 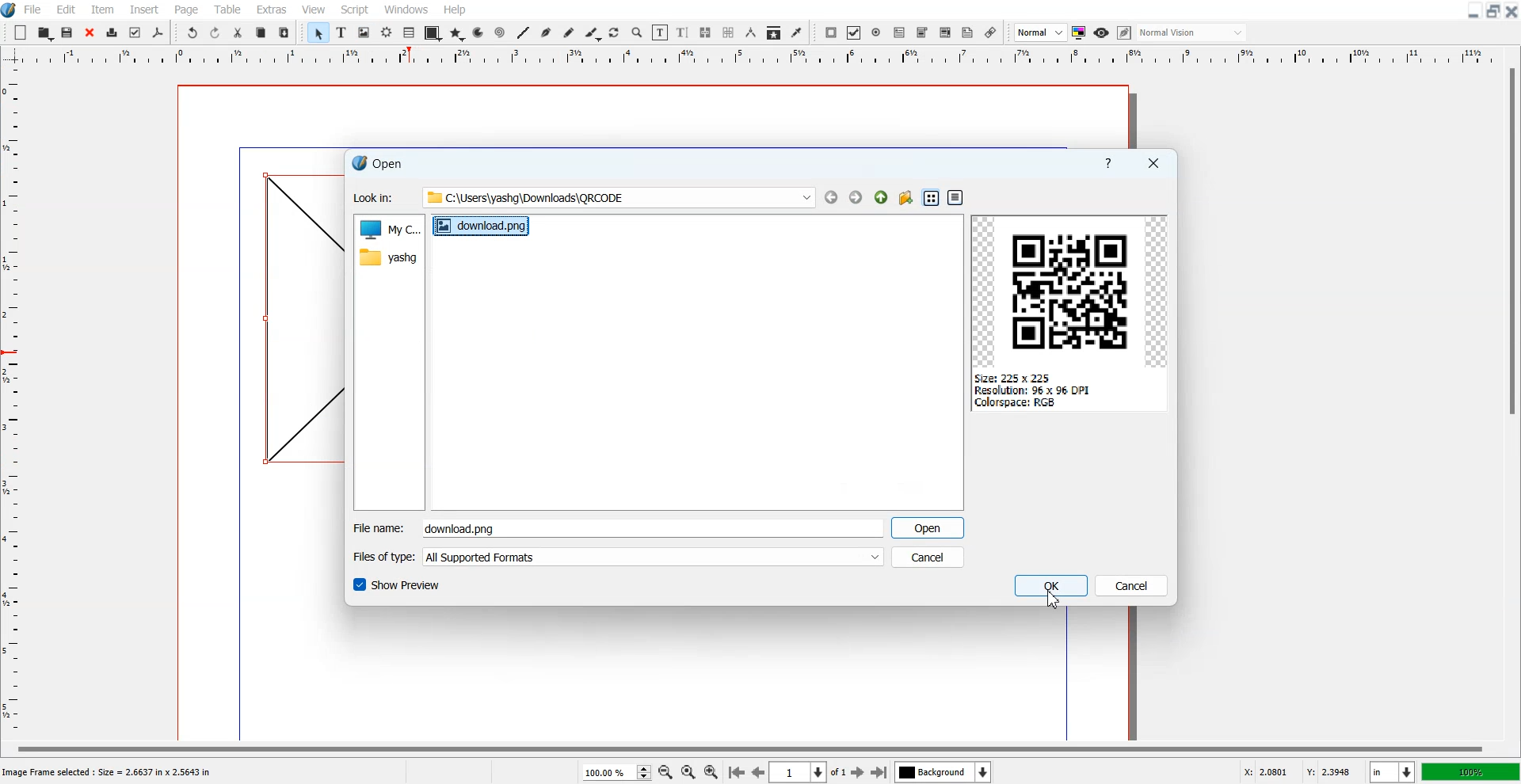 I want to click on GO to Forward, so click(x=856, y=196).